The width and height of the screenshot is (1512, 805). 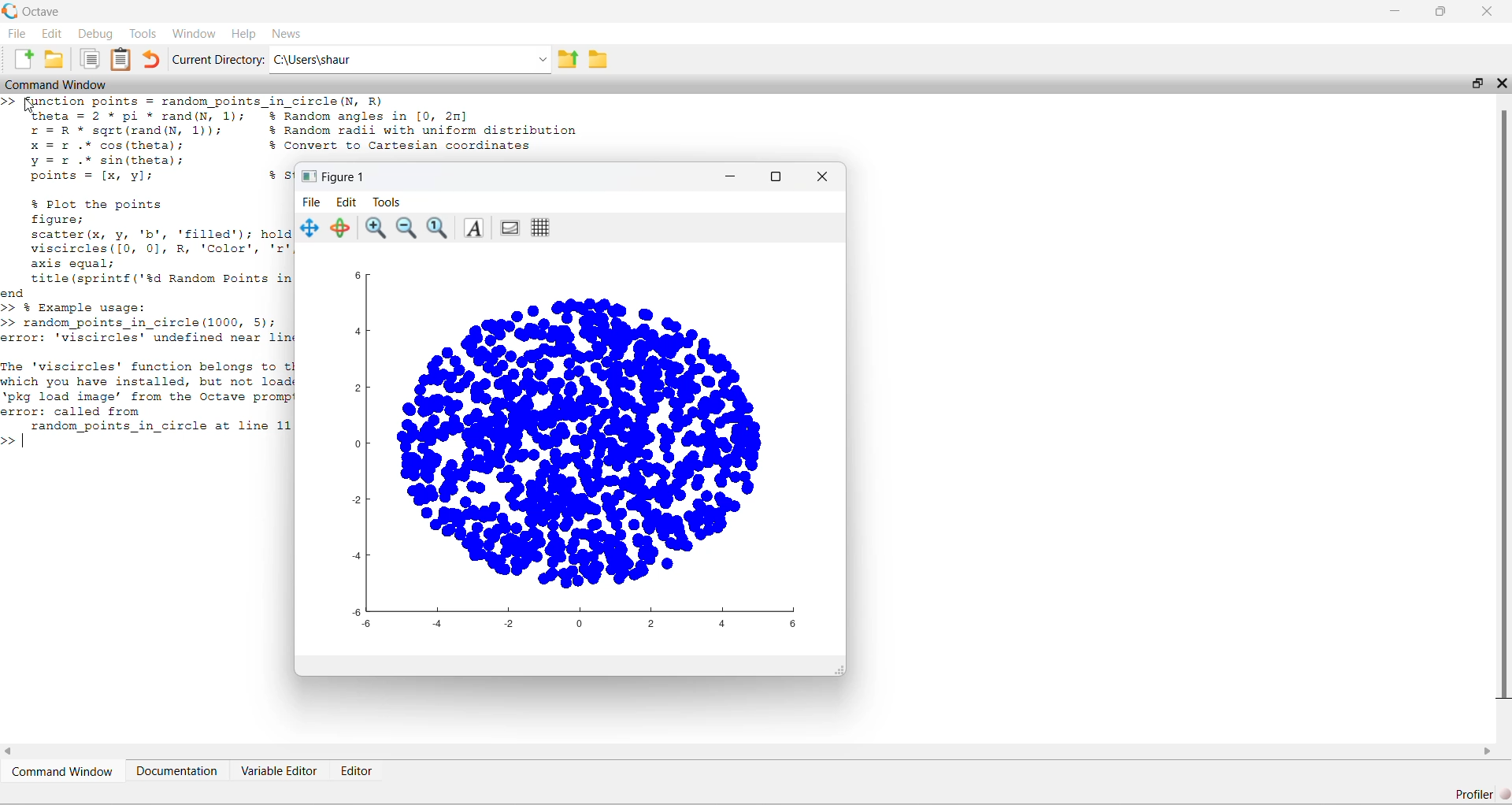 I want to click on minimize, so click(x=731, y=175).